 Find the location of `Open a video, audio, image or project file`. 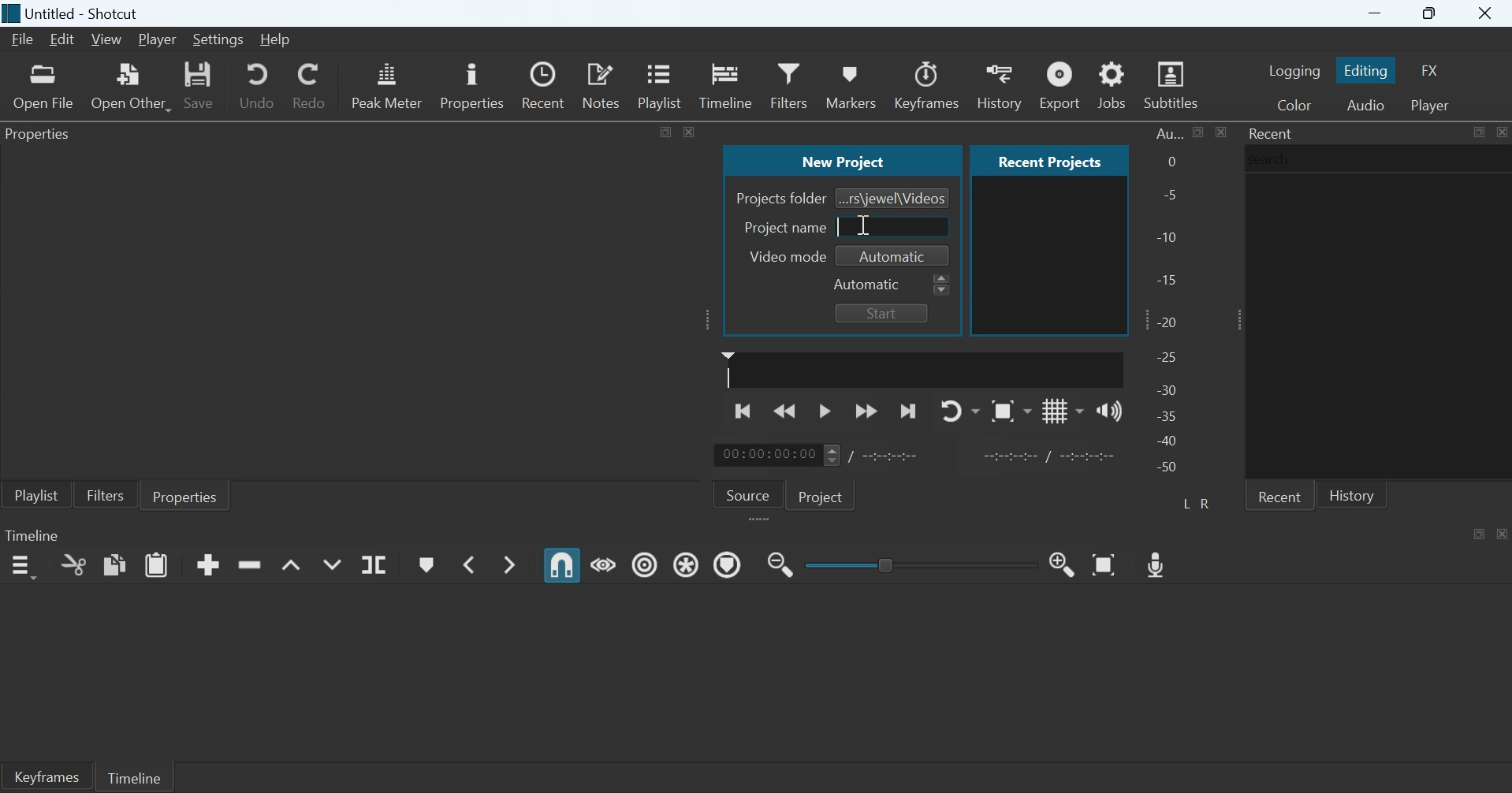

Open a video, audio, image or project file is located at coordinates (44, 87).